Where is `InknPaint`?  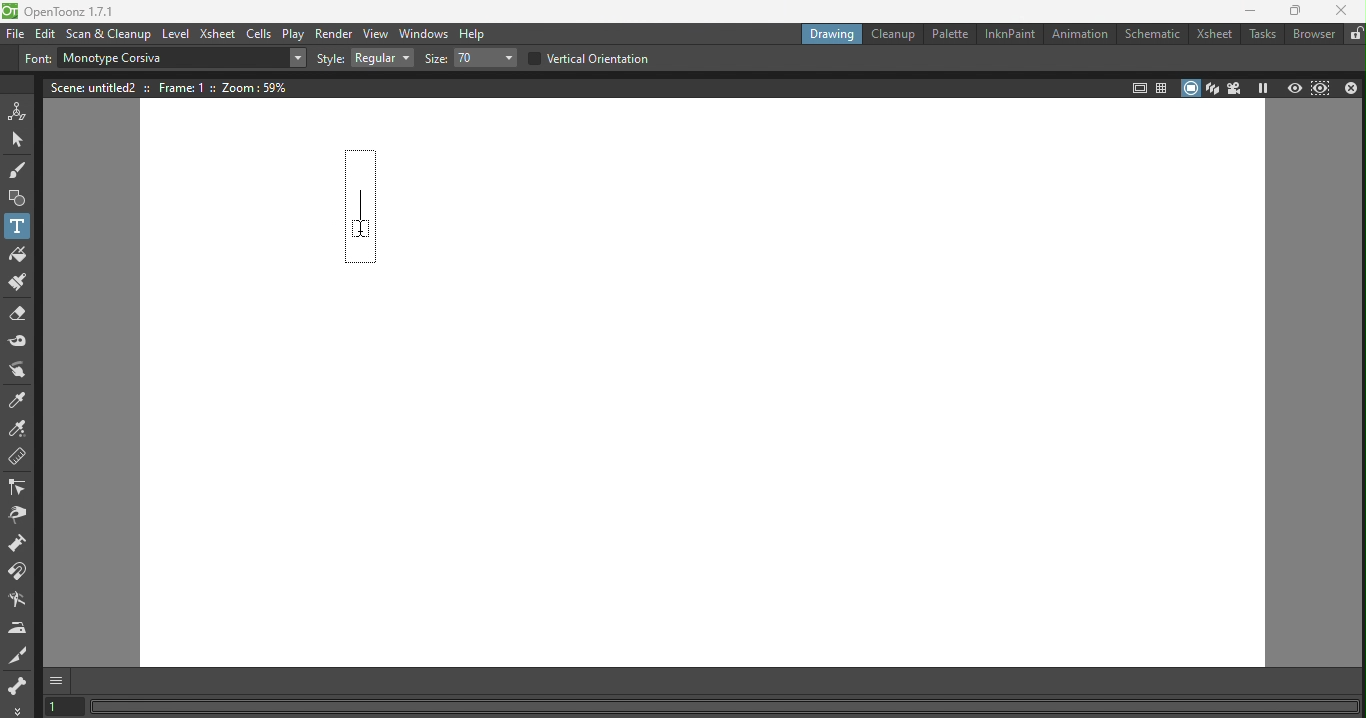
InknPaint is located at coordinates (1013, 34).